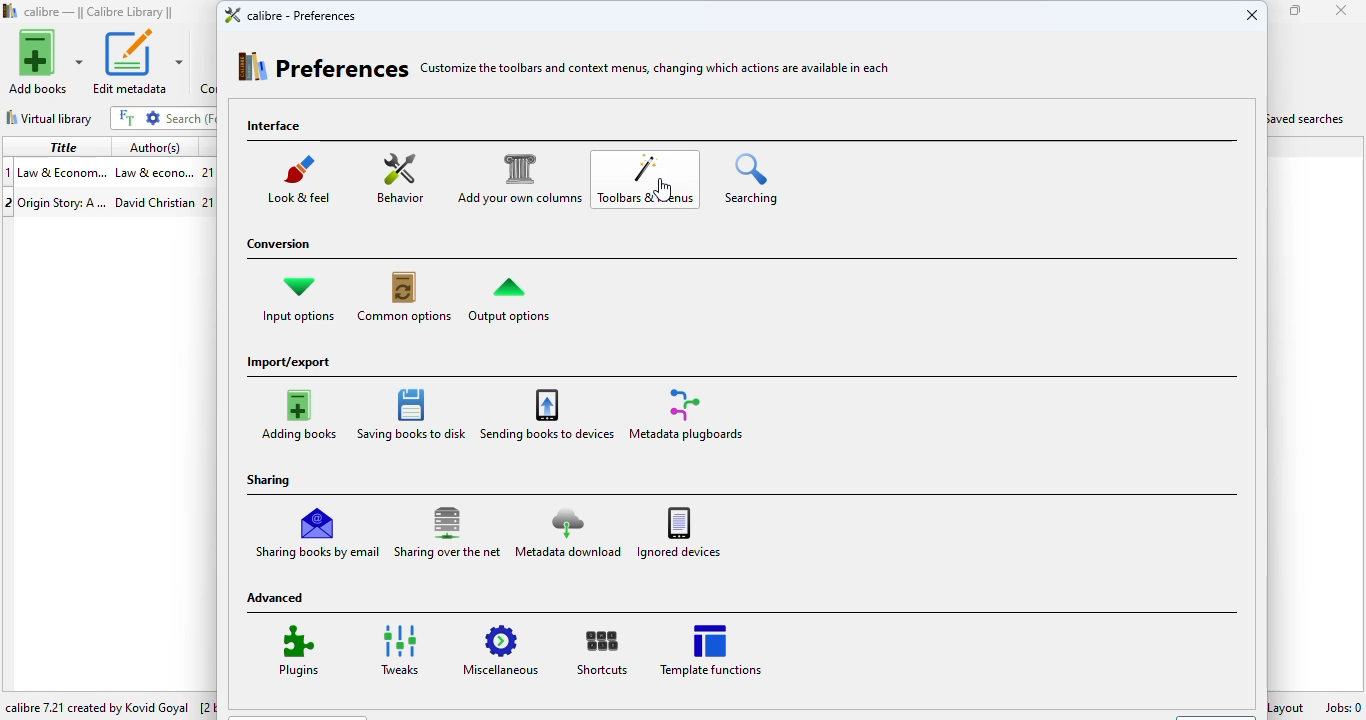 Image resolution: width=1366 pixels, height=720 pixels. What do you see at coordinates (153, 118) in the screenshot?
I see `advanced search` at bounding box center [153, 118].